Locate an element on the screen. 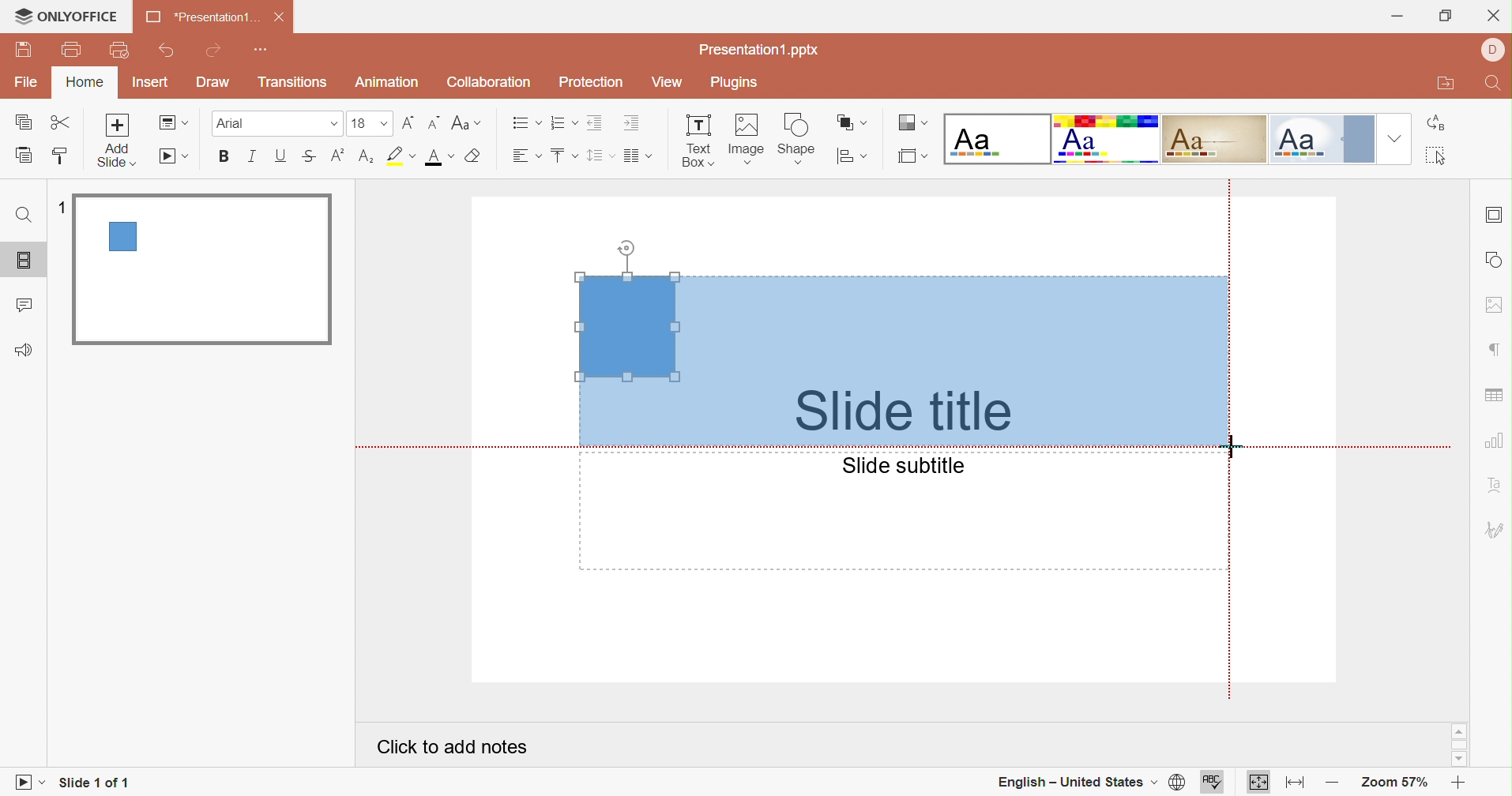  Zoom out is located at coordinates (1334, 784).